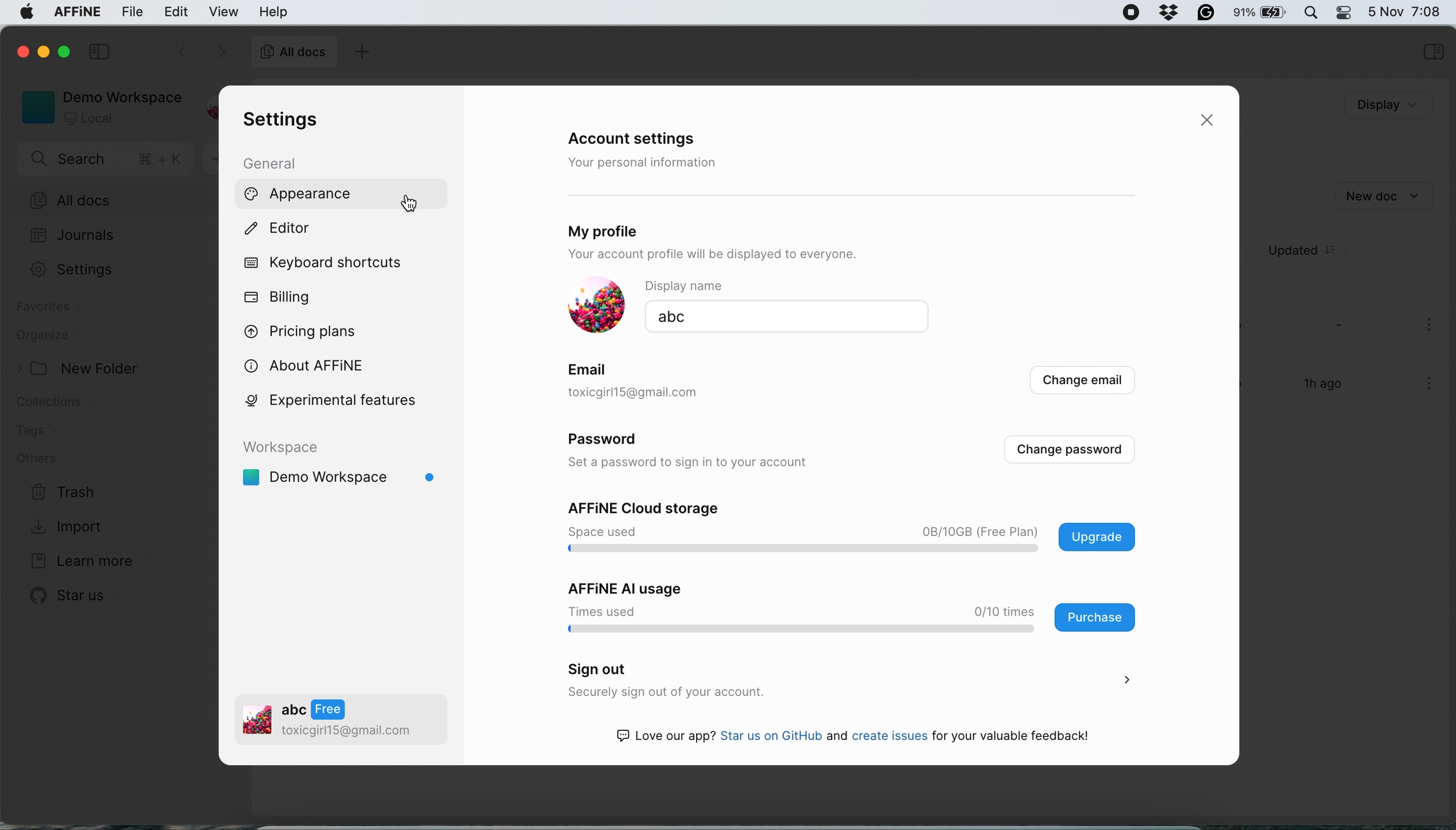  I want to click on AFFINE Cloud storage, so click(650, 508).